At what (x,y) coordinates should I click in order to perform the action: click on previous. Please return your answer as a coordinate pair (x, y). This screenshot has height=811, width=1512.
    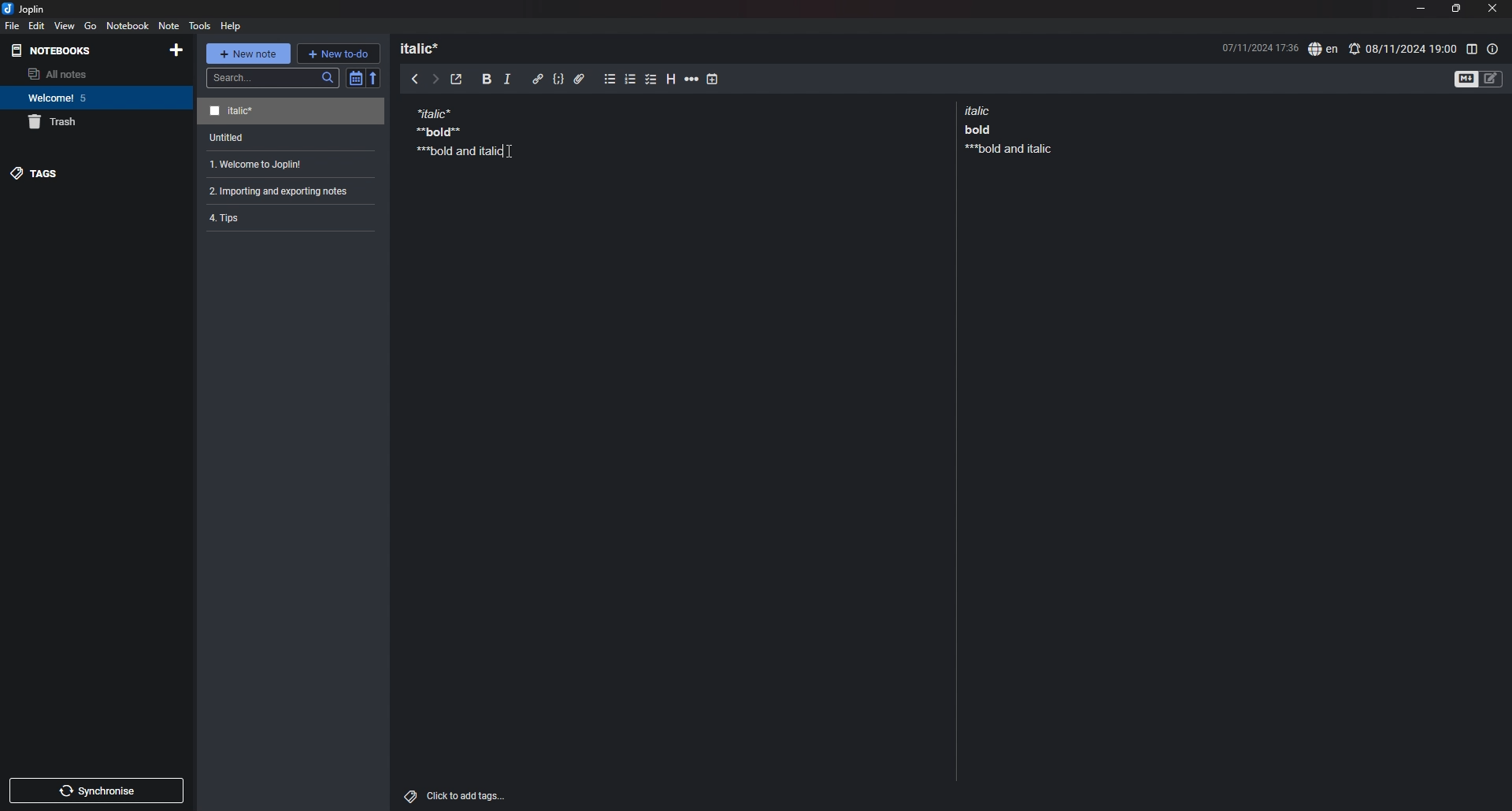
    Looking at the image, I should click on (415, 78).